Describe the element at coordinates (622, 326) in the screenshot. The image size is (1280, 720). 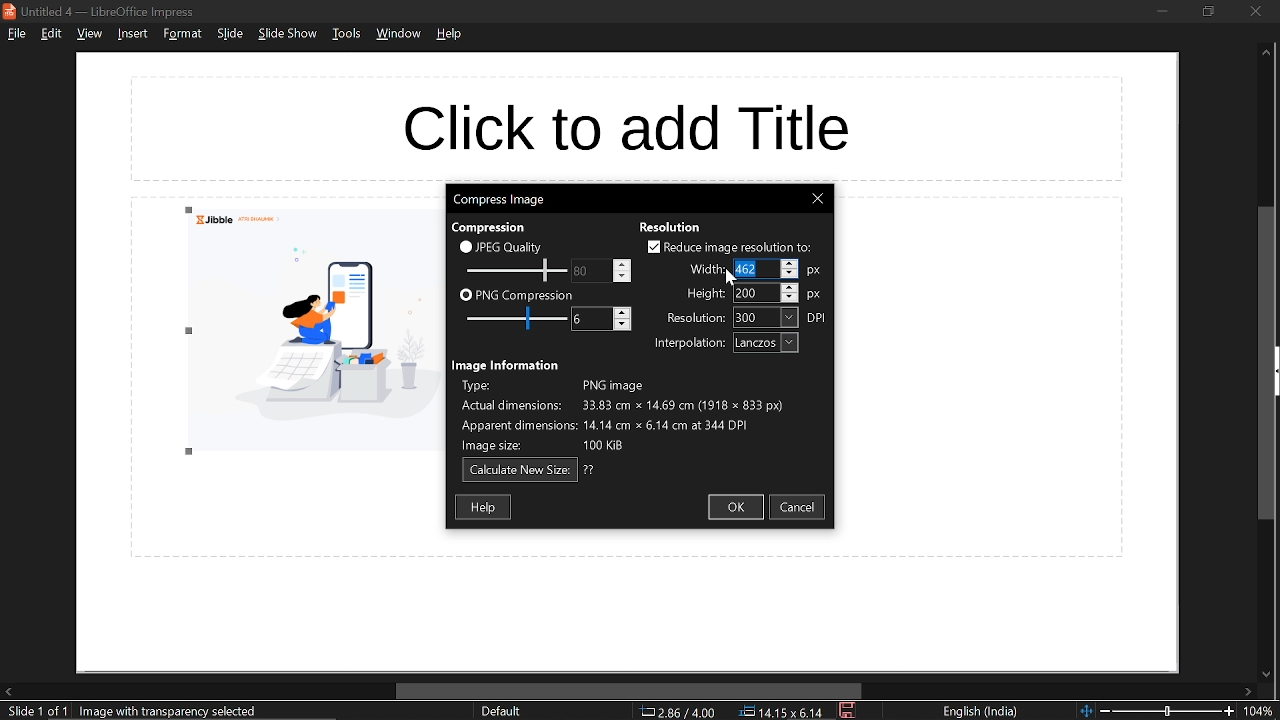
I see `decrease png compression` at that location.